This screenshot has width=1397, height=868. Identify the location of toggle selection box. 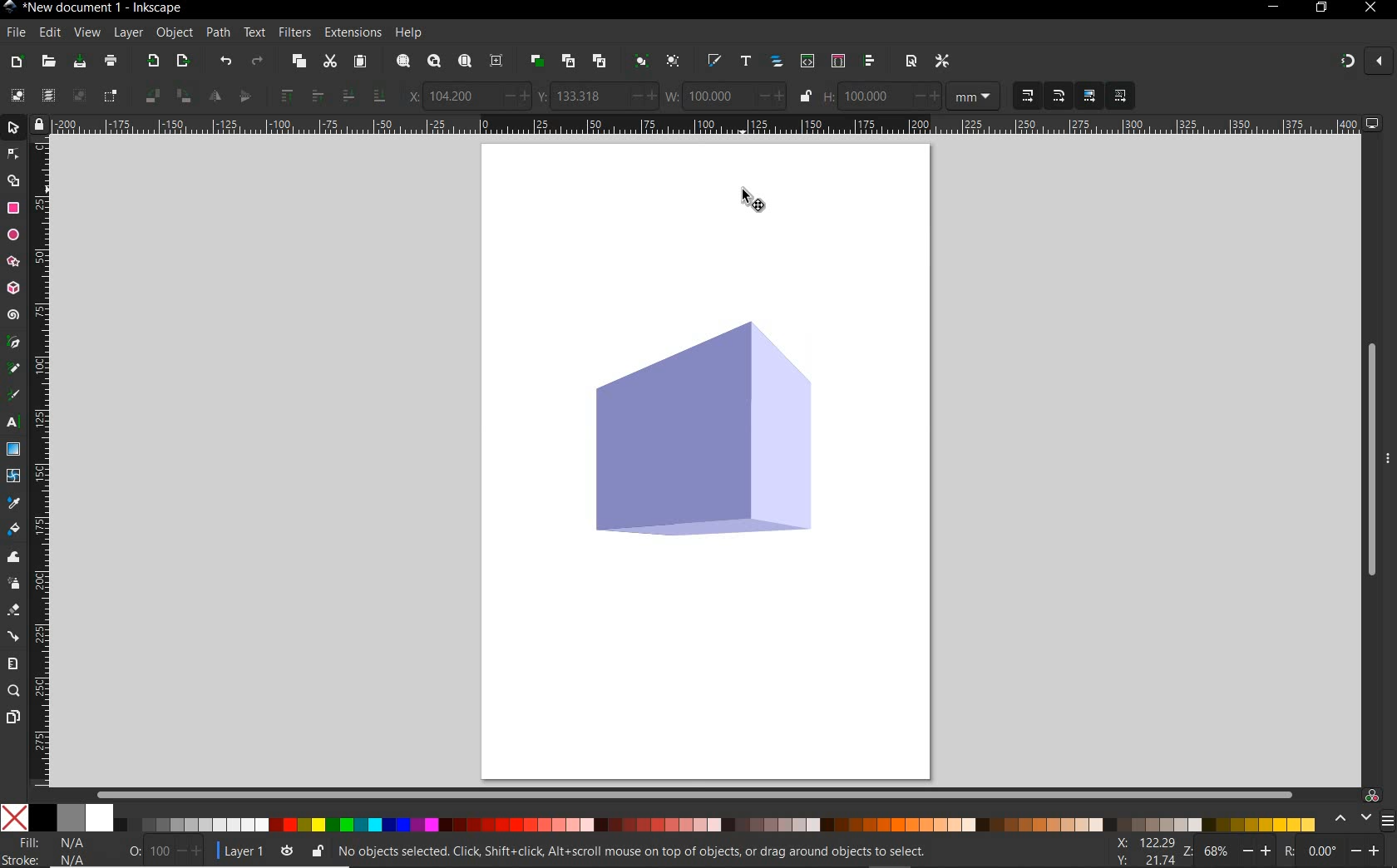
(111, 95).